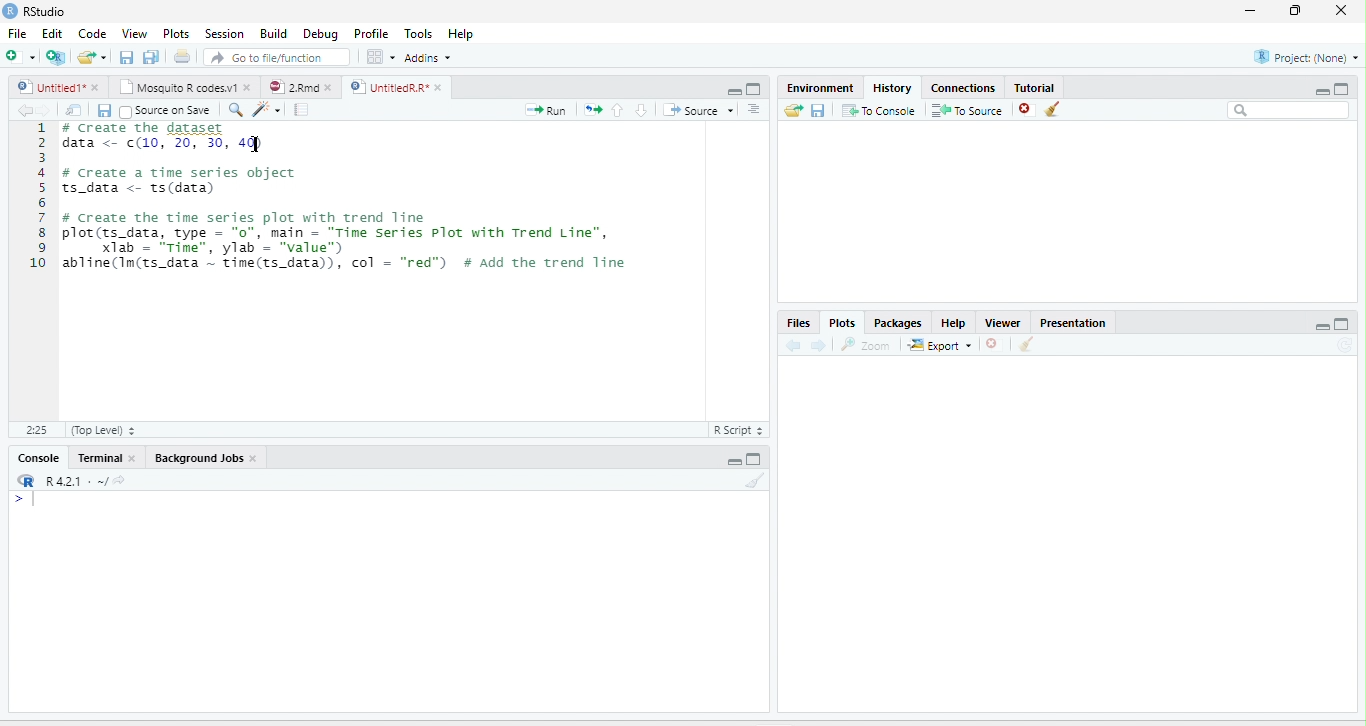 The image size is (1366, 726). I want to click on R Script, so click(739, 430).